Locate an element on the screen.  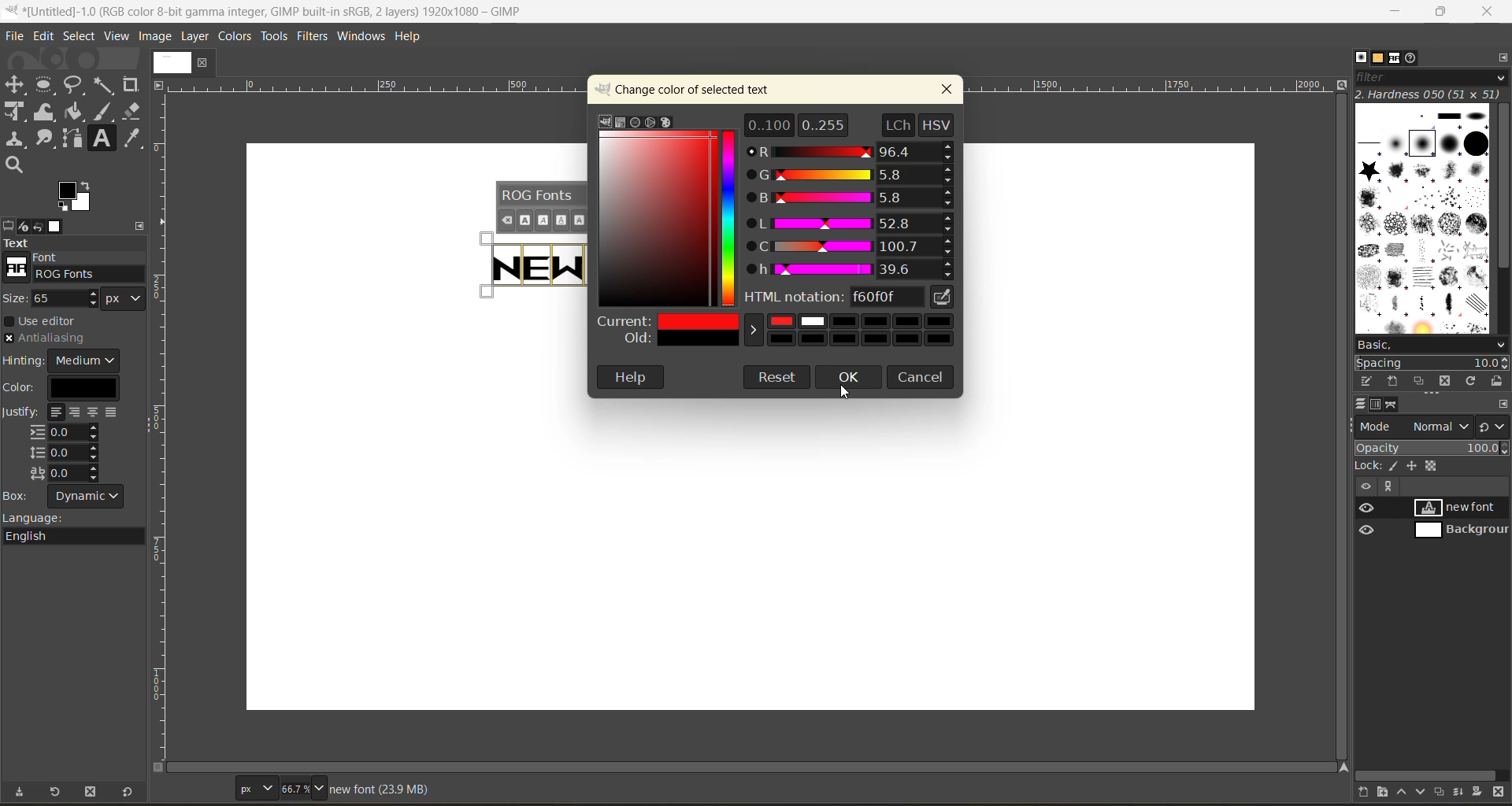
vertical scroll bar is located at coordinates (1340, 426).